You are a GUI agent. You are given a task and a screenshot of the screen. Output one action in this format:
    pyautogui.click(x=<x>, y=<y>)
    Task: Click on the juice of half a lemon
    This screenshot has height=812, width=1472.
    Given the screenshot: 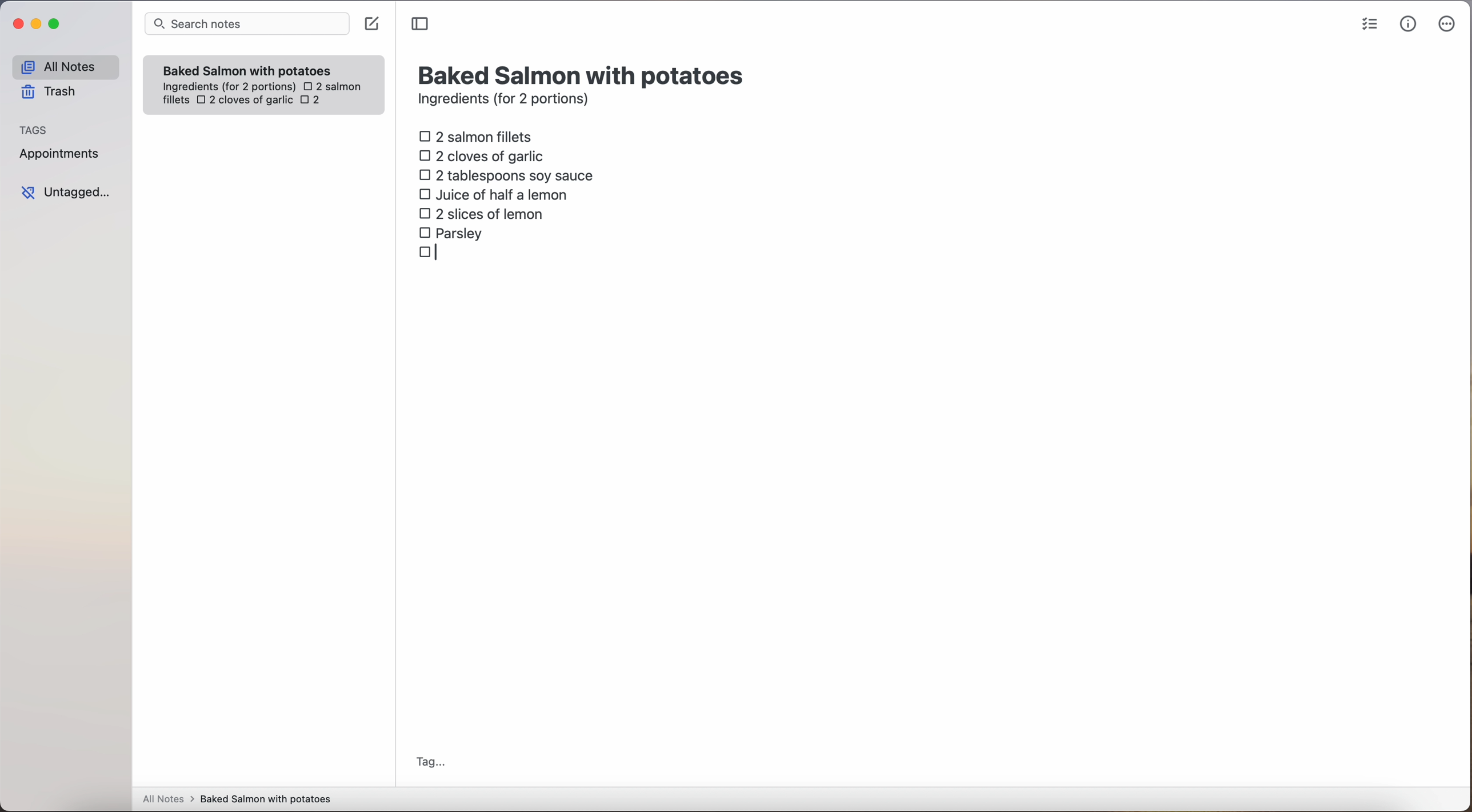 What is the action you would take?
    pyautogui.click(x=497, y=194)
    